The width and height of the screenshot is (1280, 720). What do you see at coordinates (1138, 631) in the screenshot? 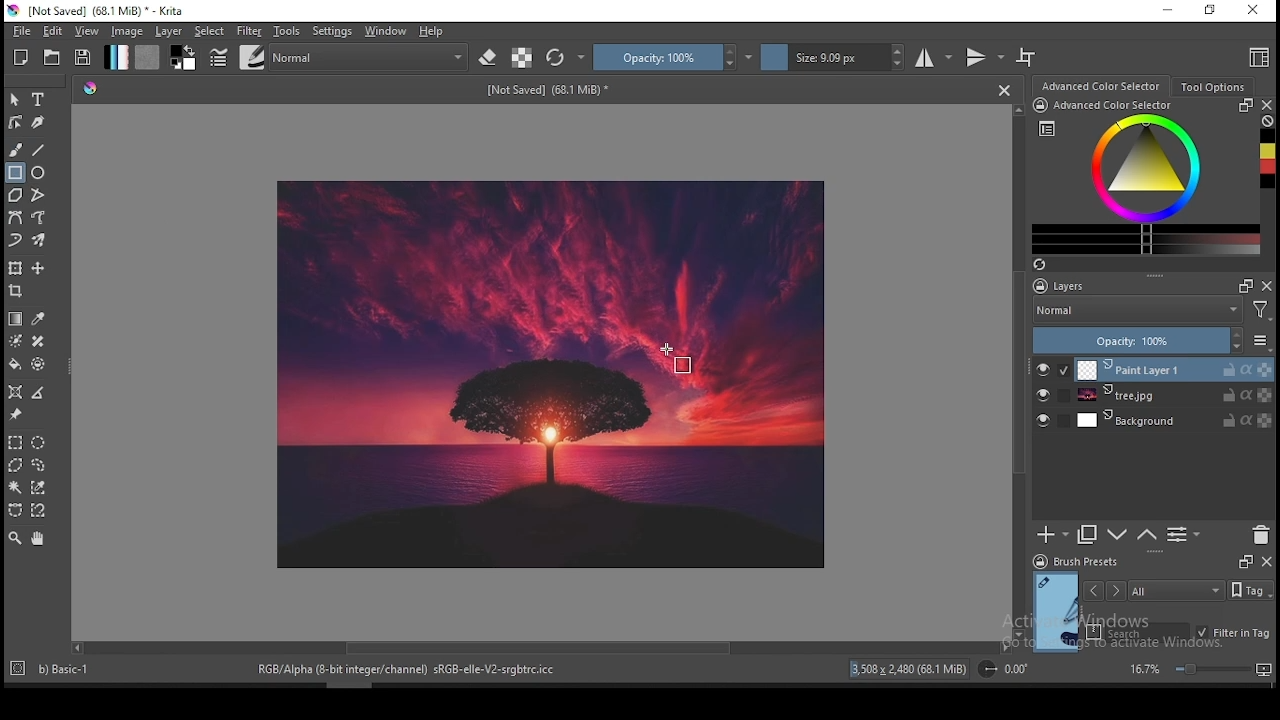
I see `search` at bounding box center [1138, 631].